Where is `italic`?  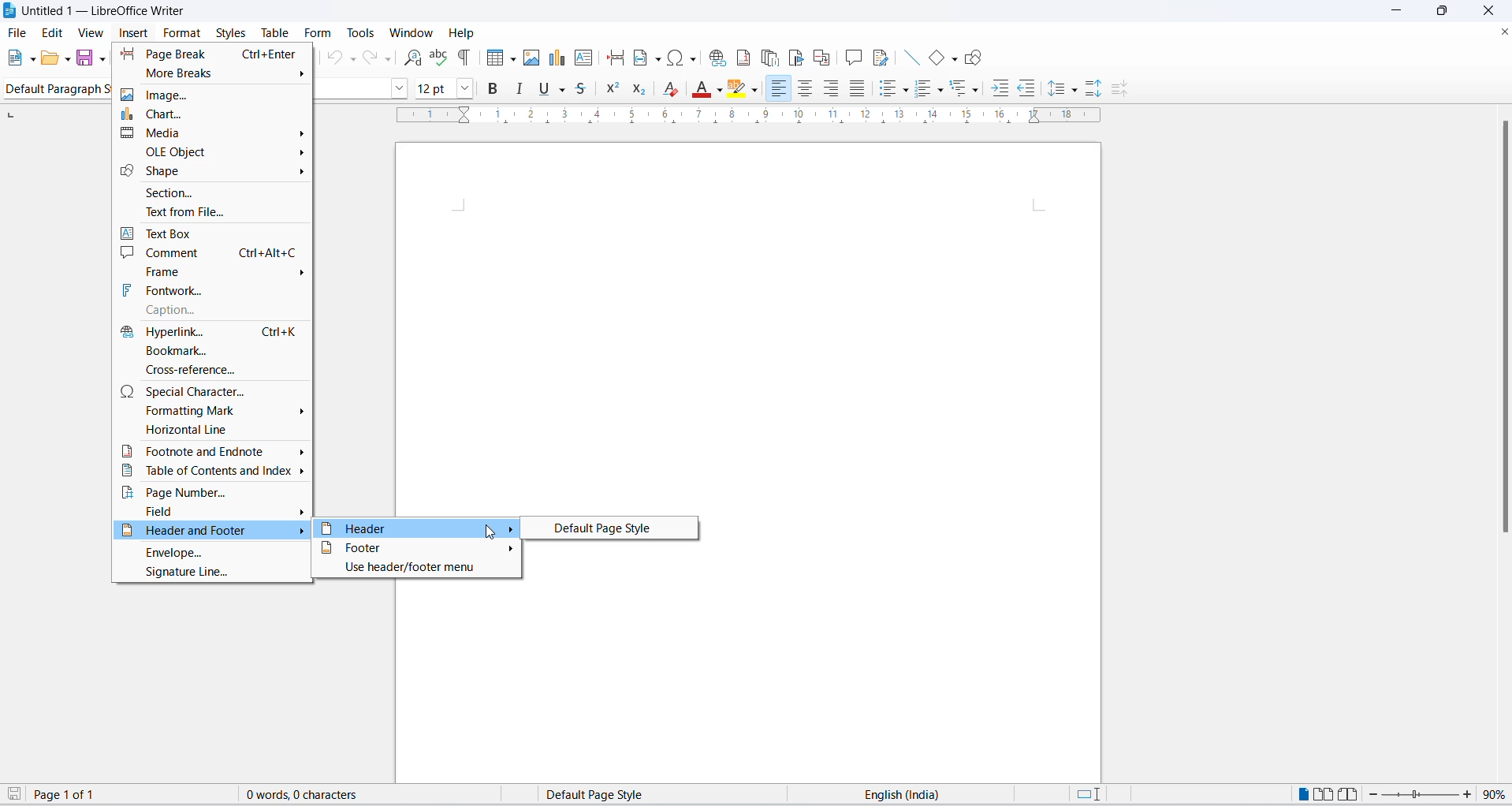 italic is located at coordinates (520, 89).